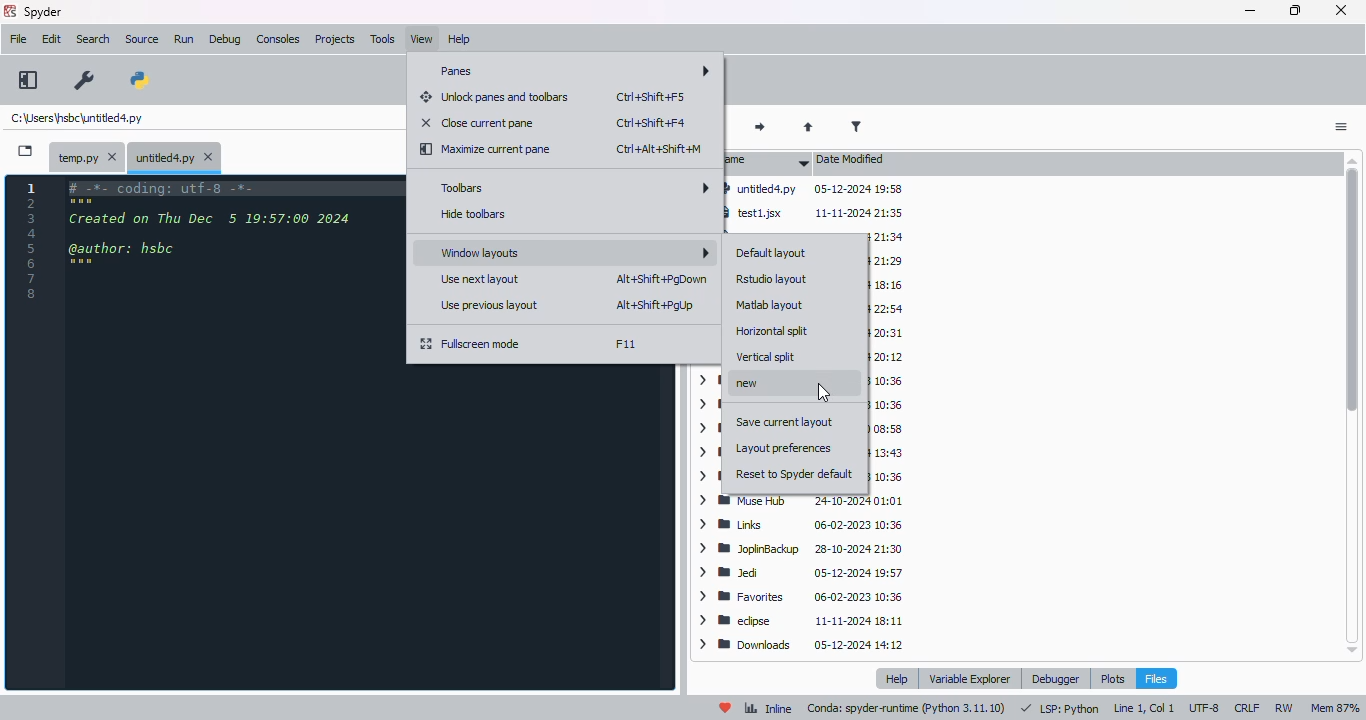 This screenshot has height=720, width=1366. Describe the element at coordinates (801, 621) in the screenshot. I see `eclipse` at that location.